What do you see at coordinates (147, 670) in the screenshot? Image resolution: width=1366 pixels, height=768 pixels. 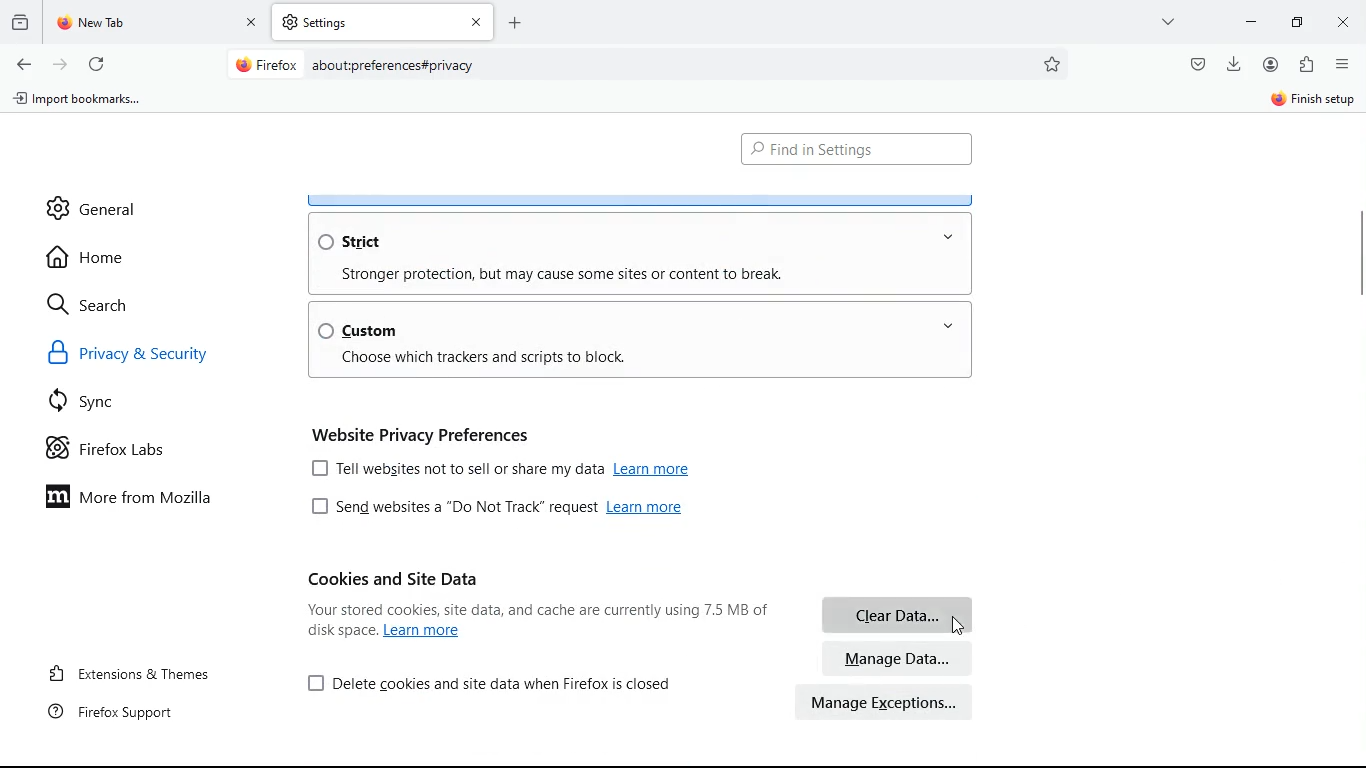 I see `extensions & themes` at bounding box center [147, 670].